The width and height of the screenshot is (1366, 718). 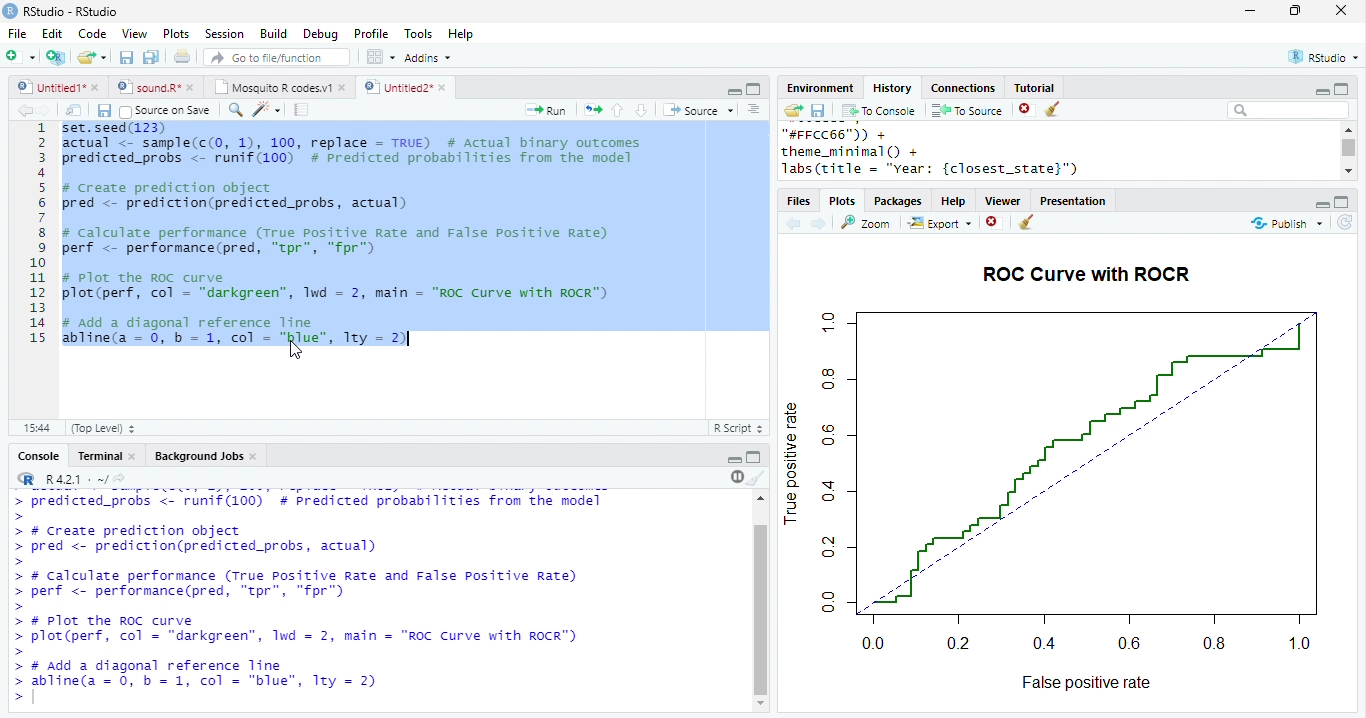 What do you see at coordinates (307, 502) in the screenshot?
I see `> predicted_probs <- runif(100) # predicted probabilities from the model` at bounding box center [307, 502].